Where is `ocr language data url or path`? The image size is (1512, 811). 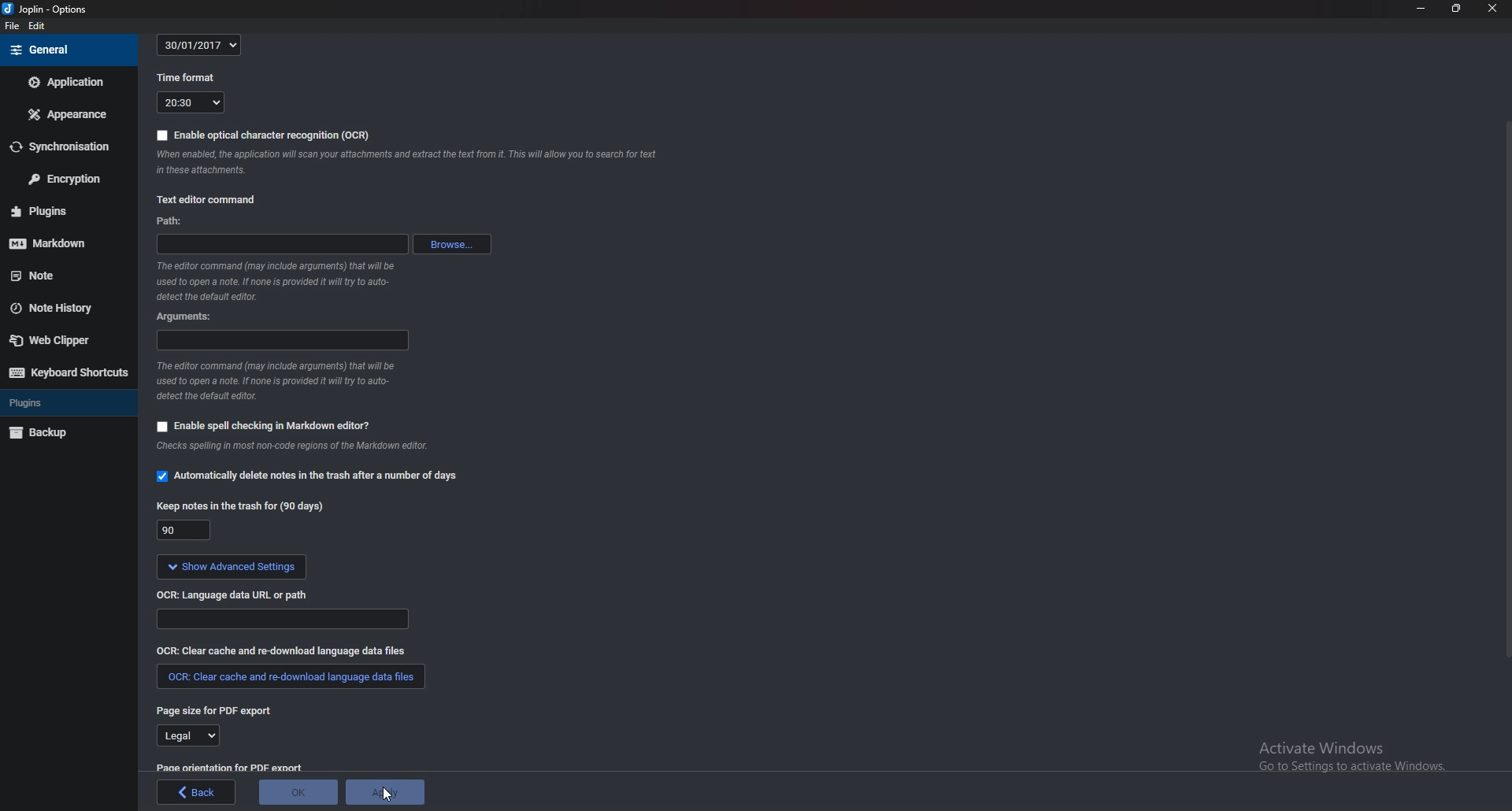
ocr language data url or path is located at coordinates (232, 594).